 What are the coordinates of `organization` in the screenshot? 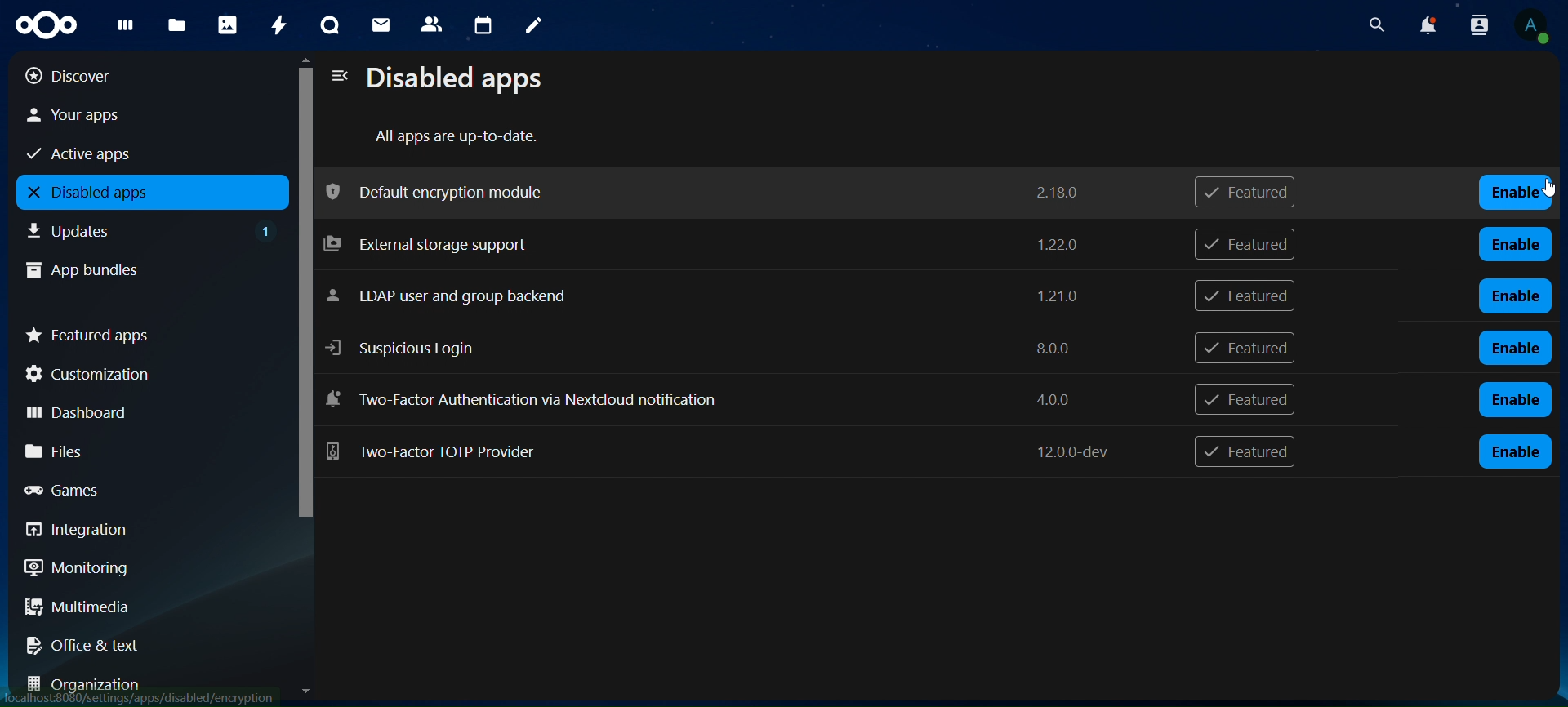 It's located at (147, 684).